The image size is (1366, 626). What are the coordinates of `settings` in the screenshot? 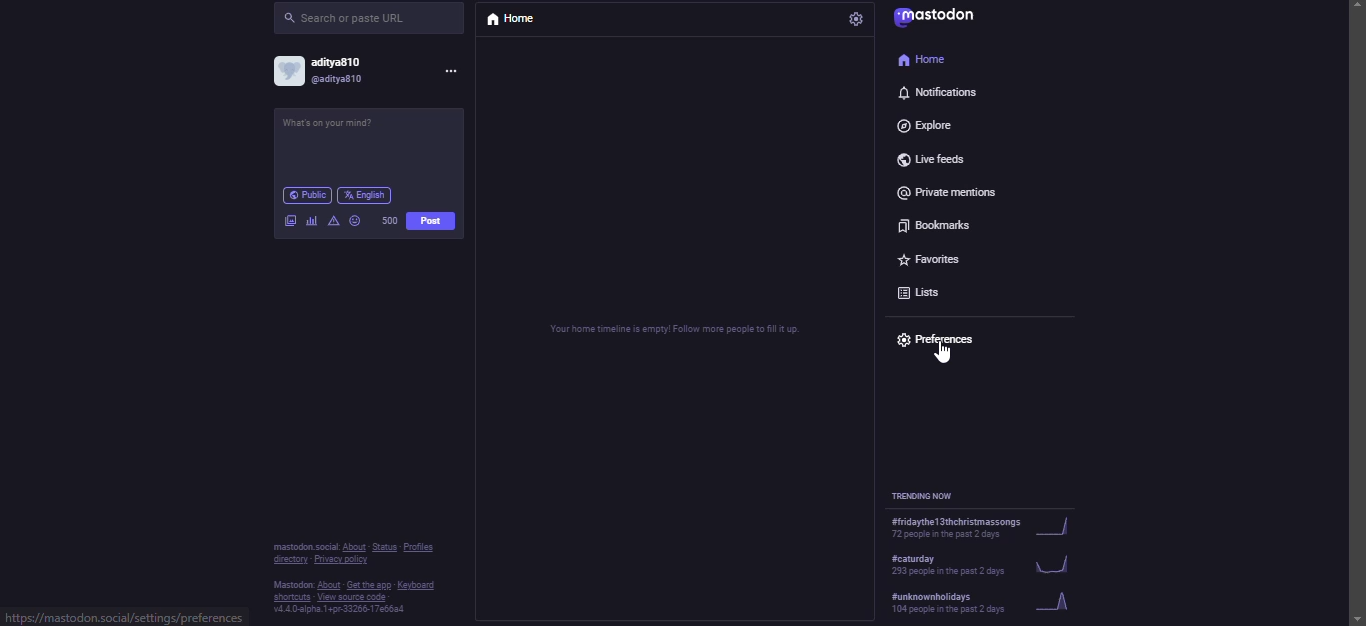 It's located at (855, 20).